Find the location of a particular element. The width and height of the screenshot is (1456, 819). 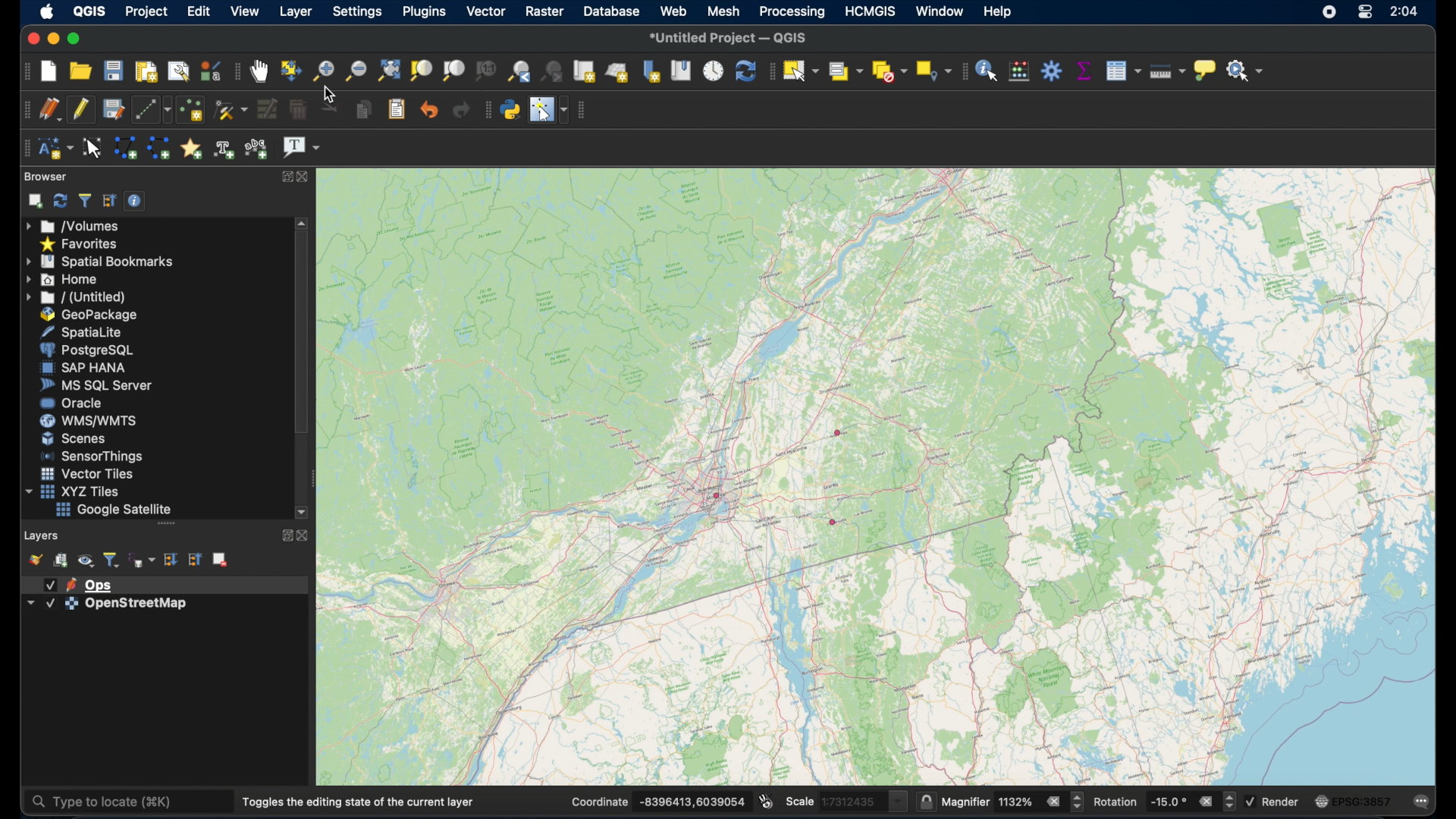

help is located at coordinates (997, 13).